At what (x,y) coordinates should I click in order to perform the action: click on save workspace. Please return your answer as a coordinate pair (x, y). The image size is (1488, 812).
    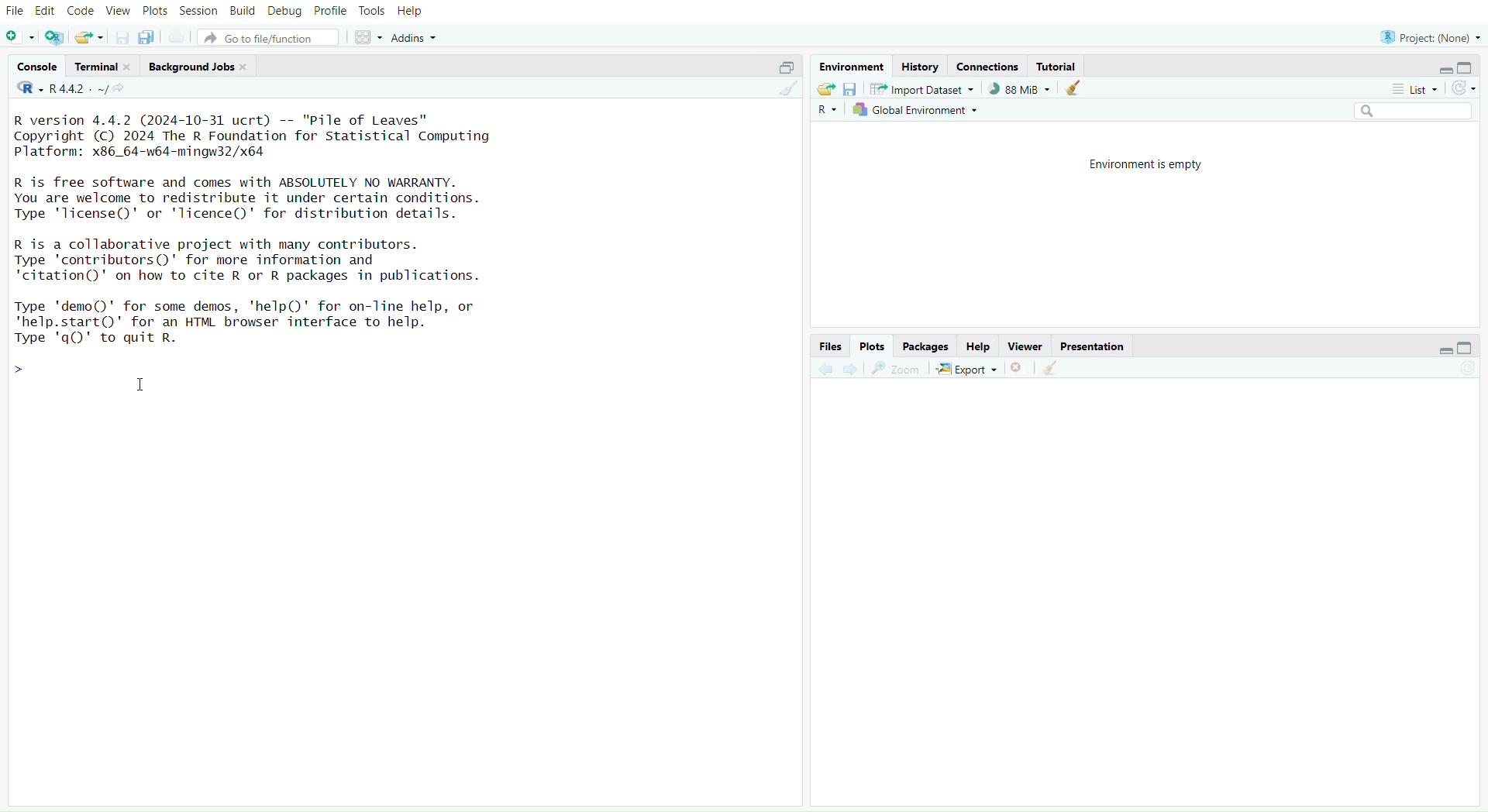
    Looking at the image, I should click on (850, 91).